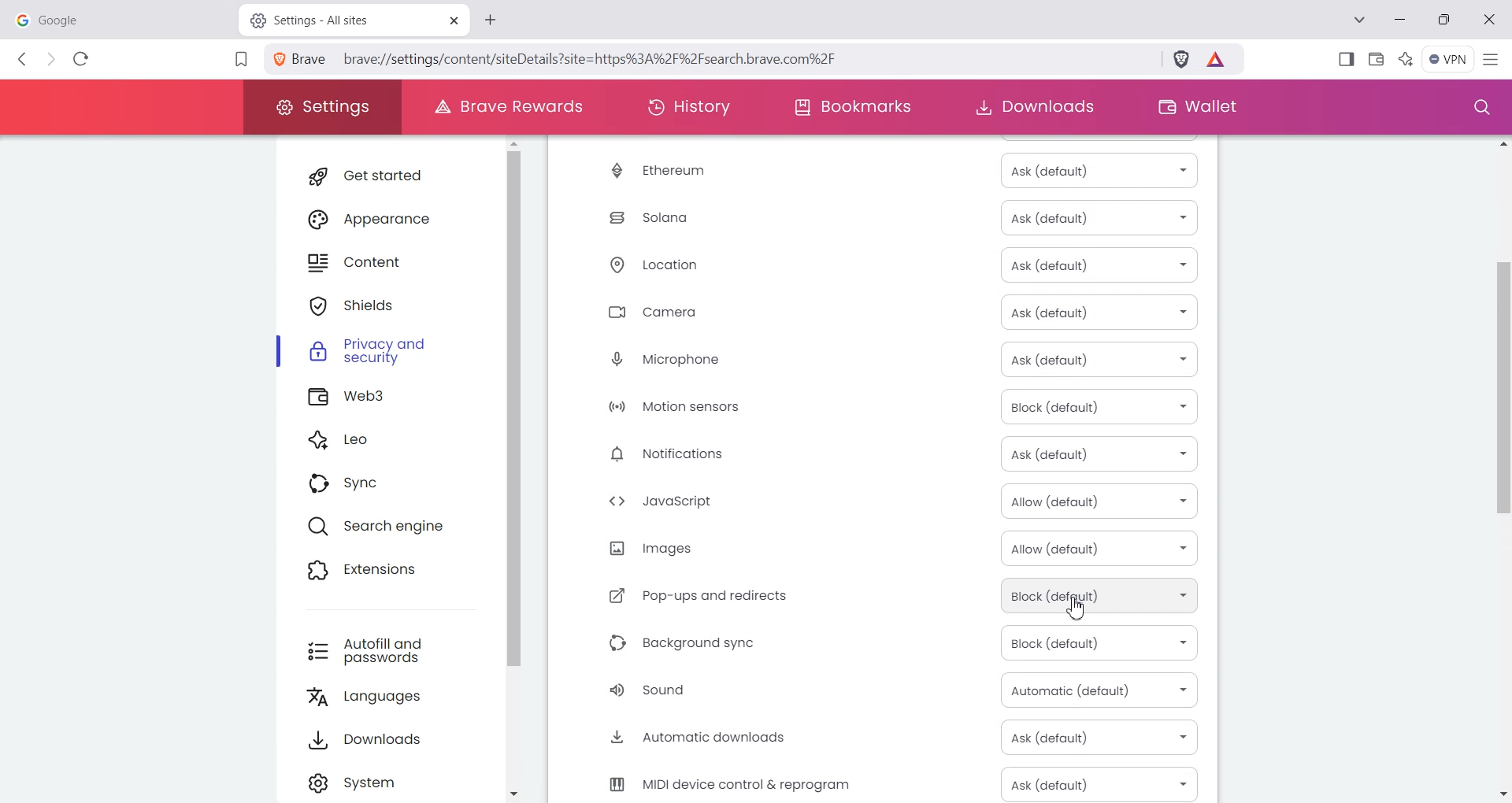 The width and height of the screenshot is (1512, 803). Describe the element at coordinates (388, 528) in the screenshot. I see `Search engine` at that location.